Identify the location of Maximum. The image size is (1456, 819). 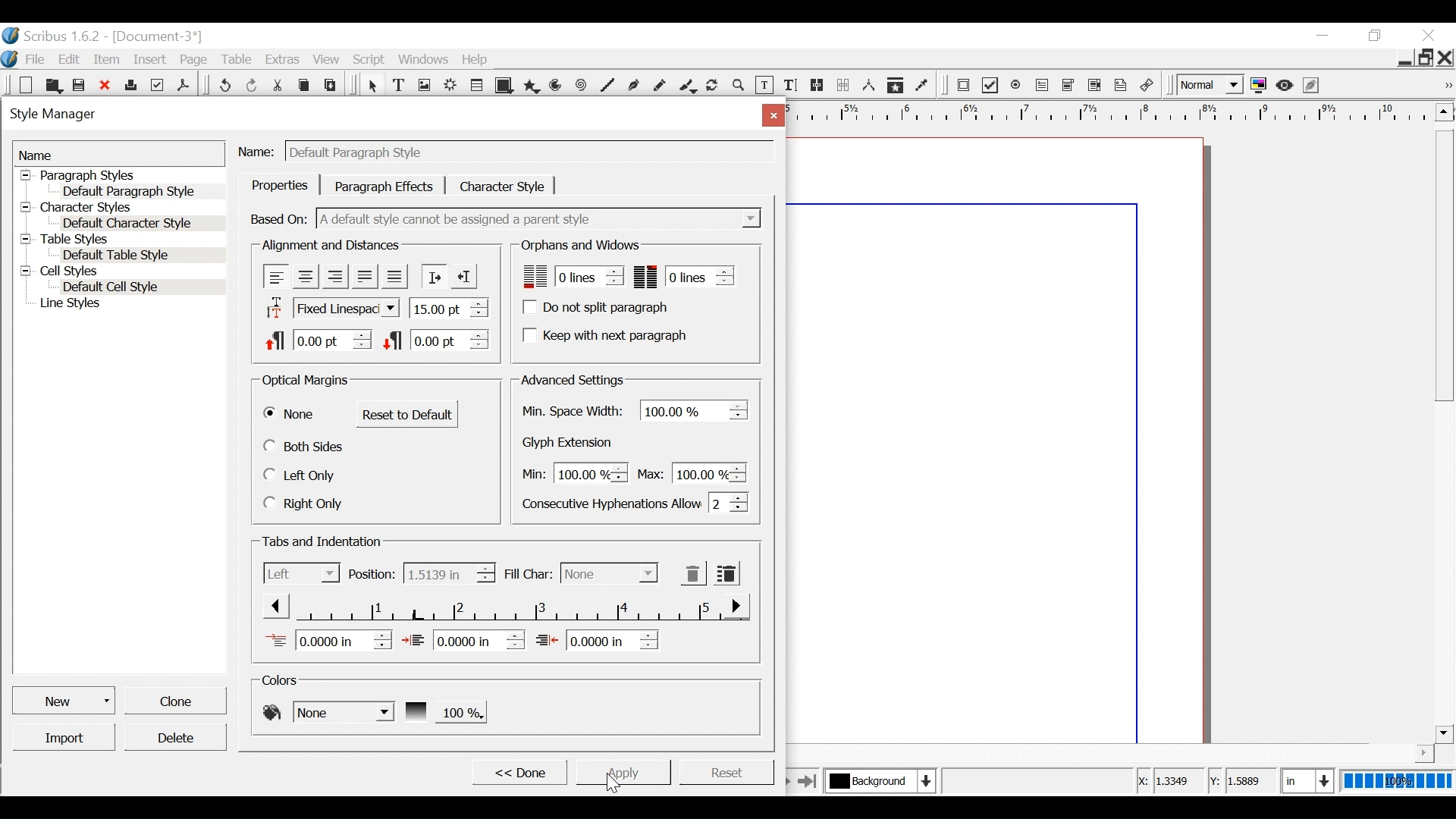
(689, 472).